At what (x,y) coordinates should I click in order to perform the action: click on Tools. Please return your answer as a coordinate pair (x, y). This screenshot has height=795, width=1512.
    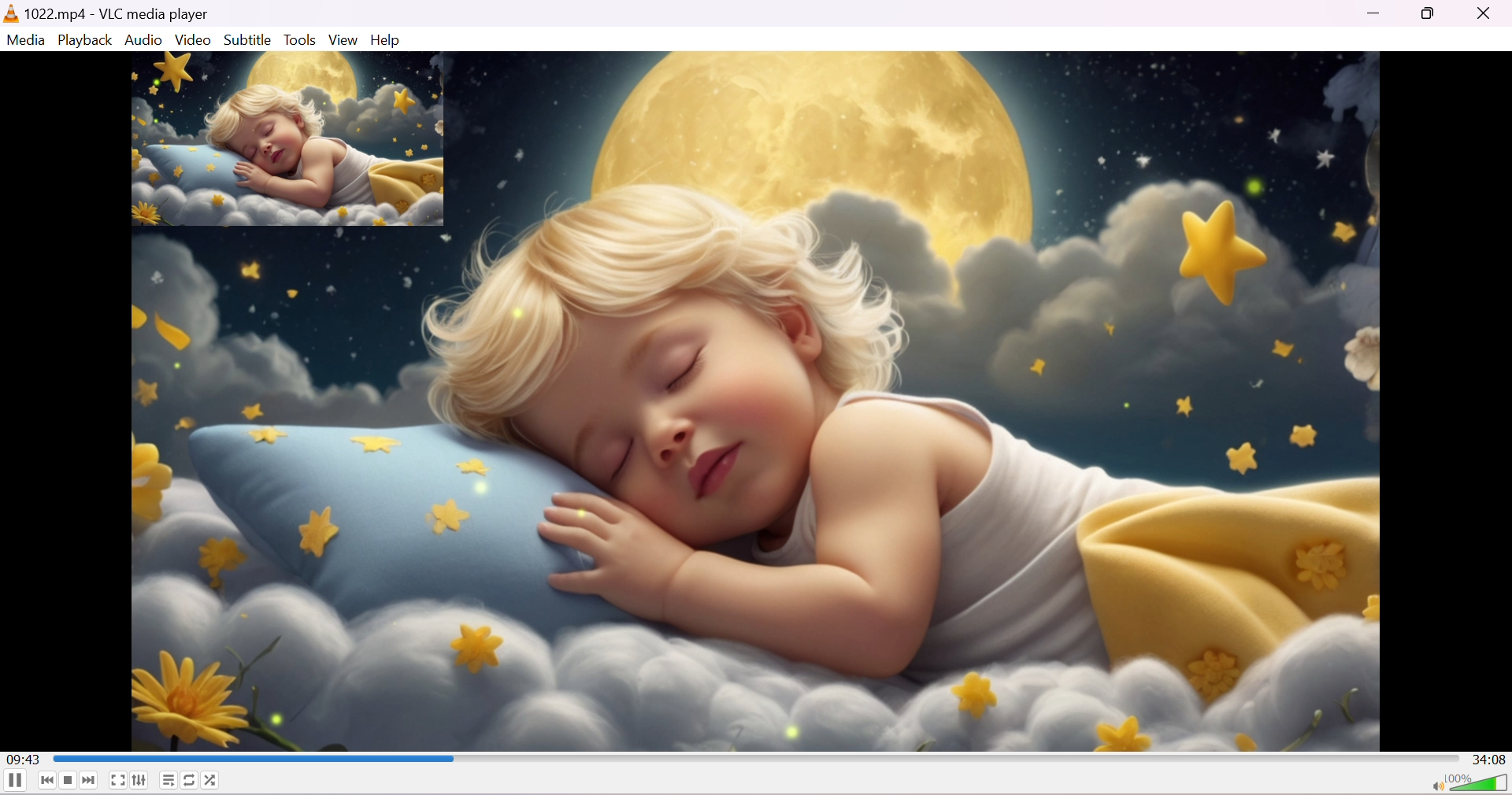
    Looking at the image, I should click on (301, 39).